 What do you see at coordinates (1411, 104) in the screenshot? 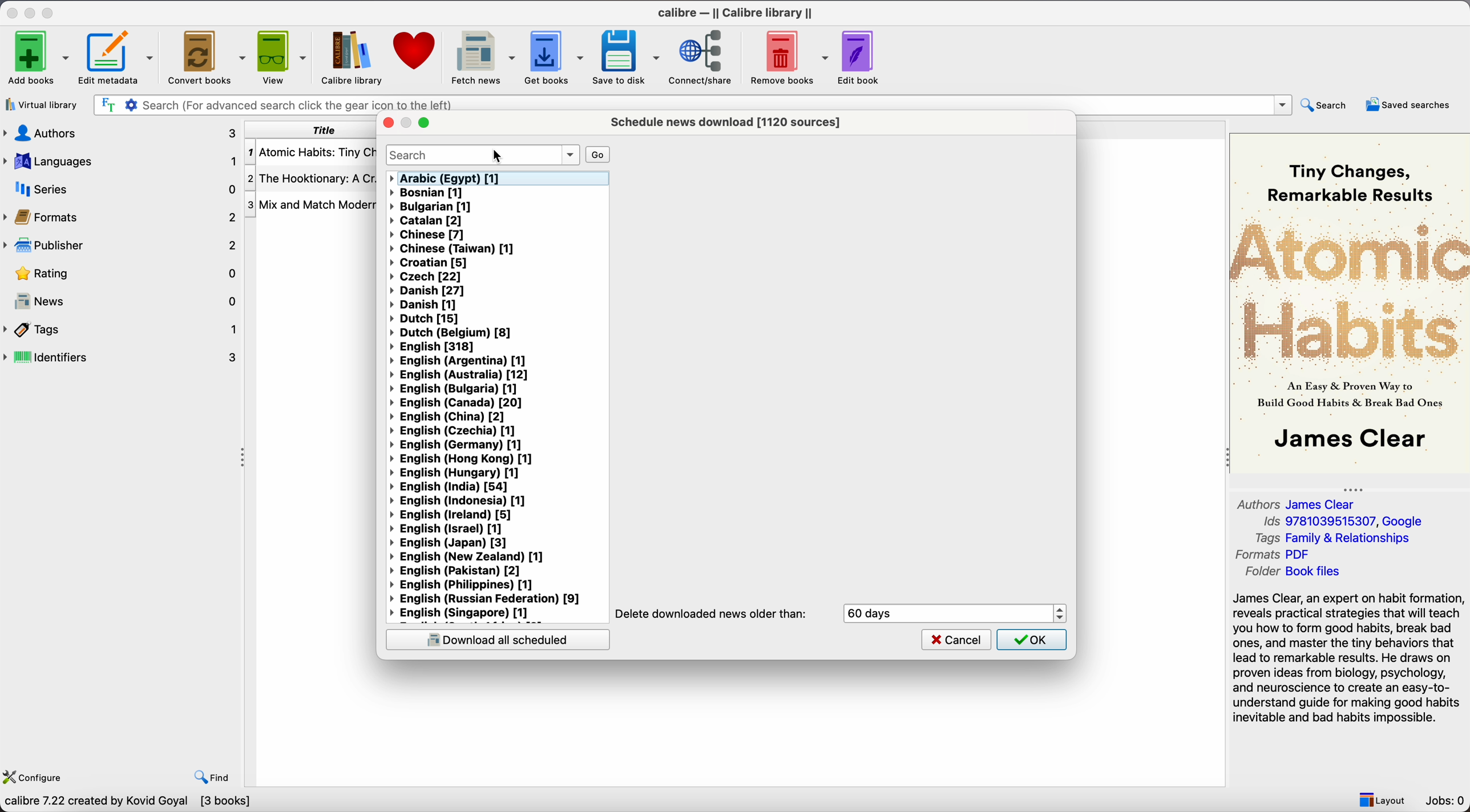
I see `saved searches` at bounding box center [1411, 104].